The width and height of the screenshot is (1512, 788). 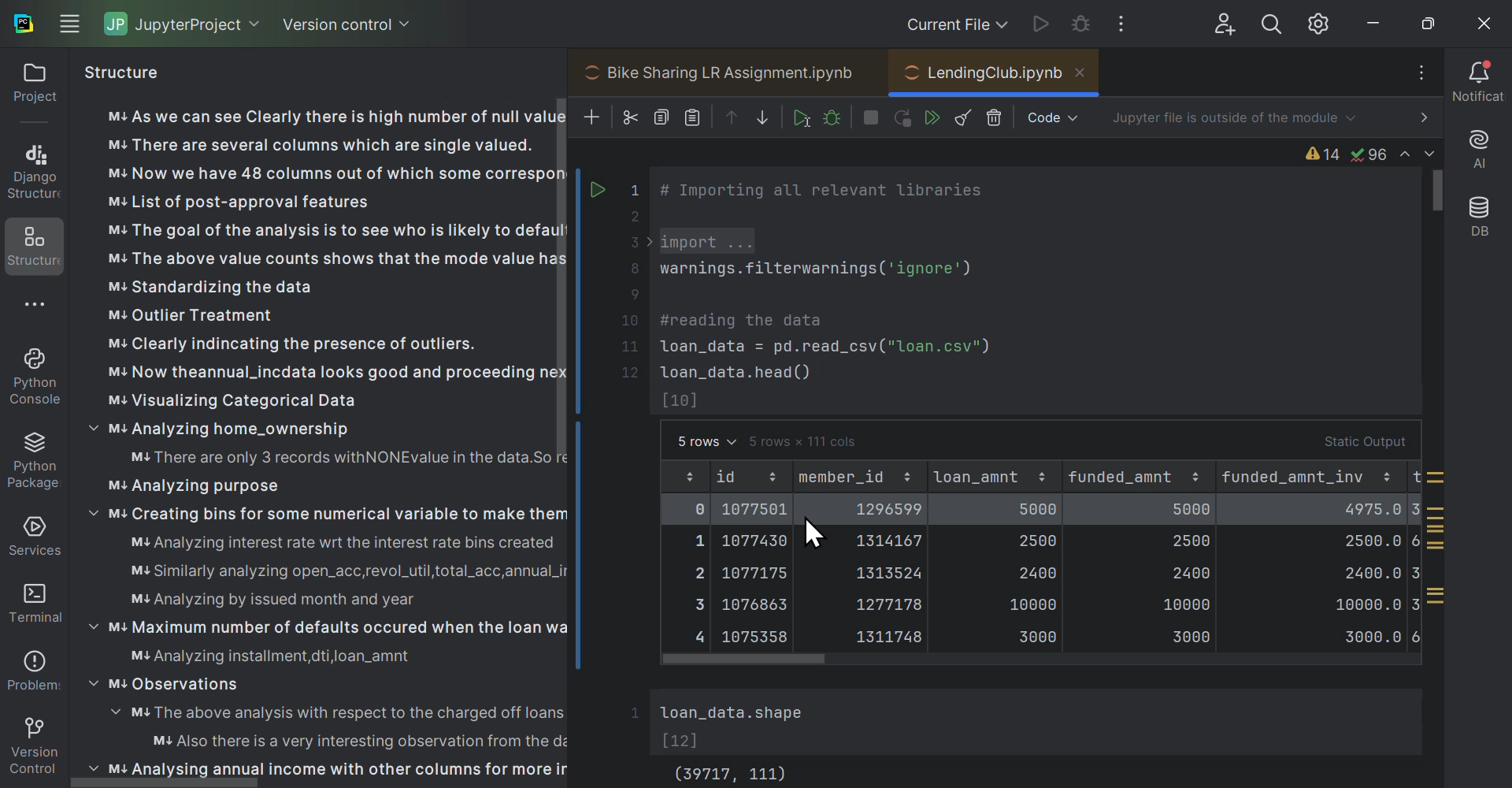 What do you see at coordinates (1024, 292) in the screenshot?
I see `Workspace` at bounding box center [1024, 292].